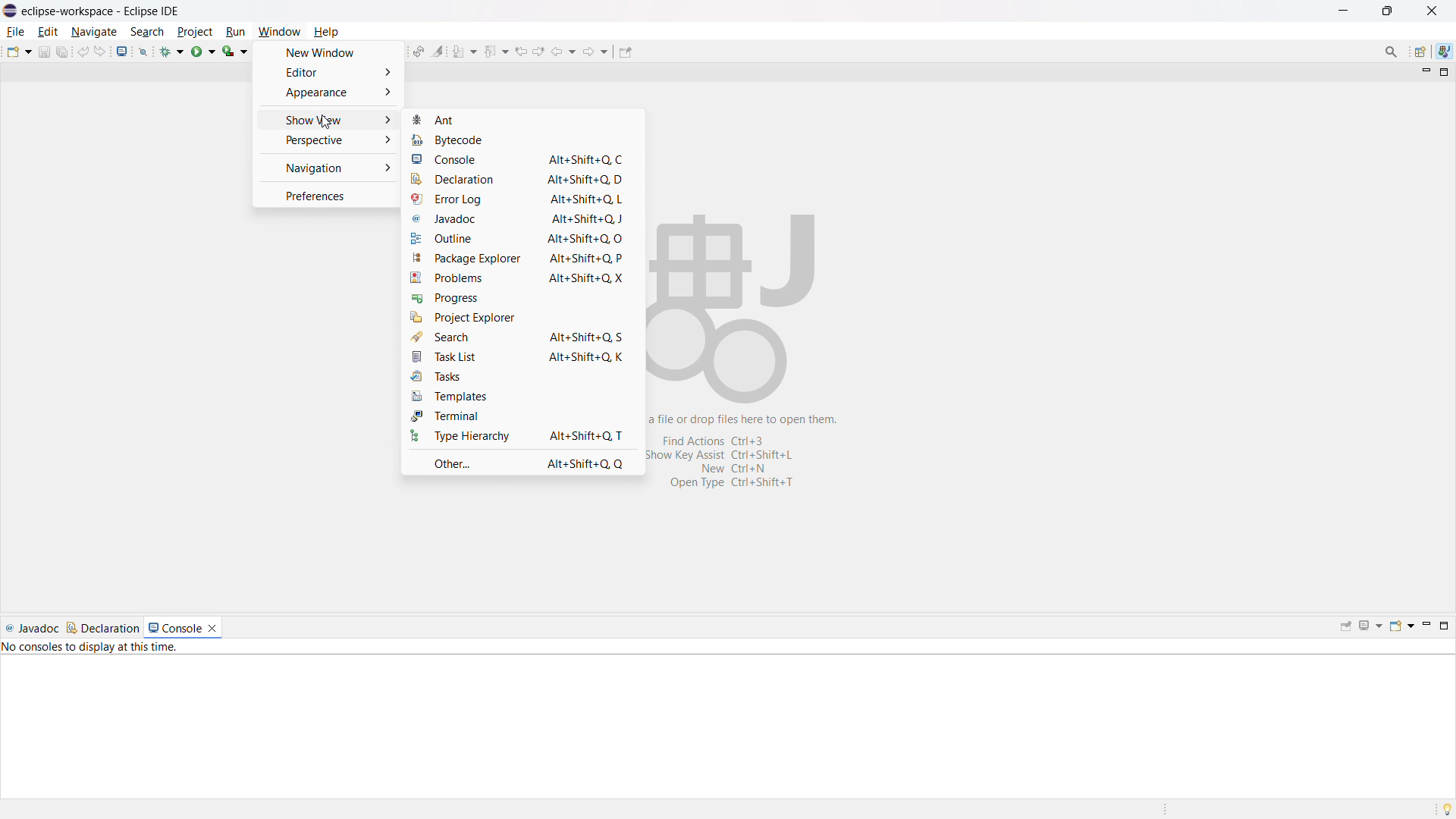  Describe the element at coordinates (522, 463) in the screenshot. I see `other` at that location.